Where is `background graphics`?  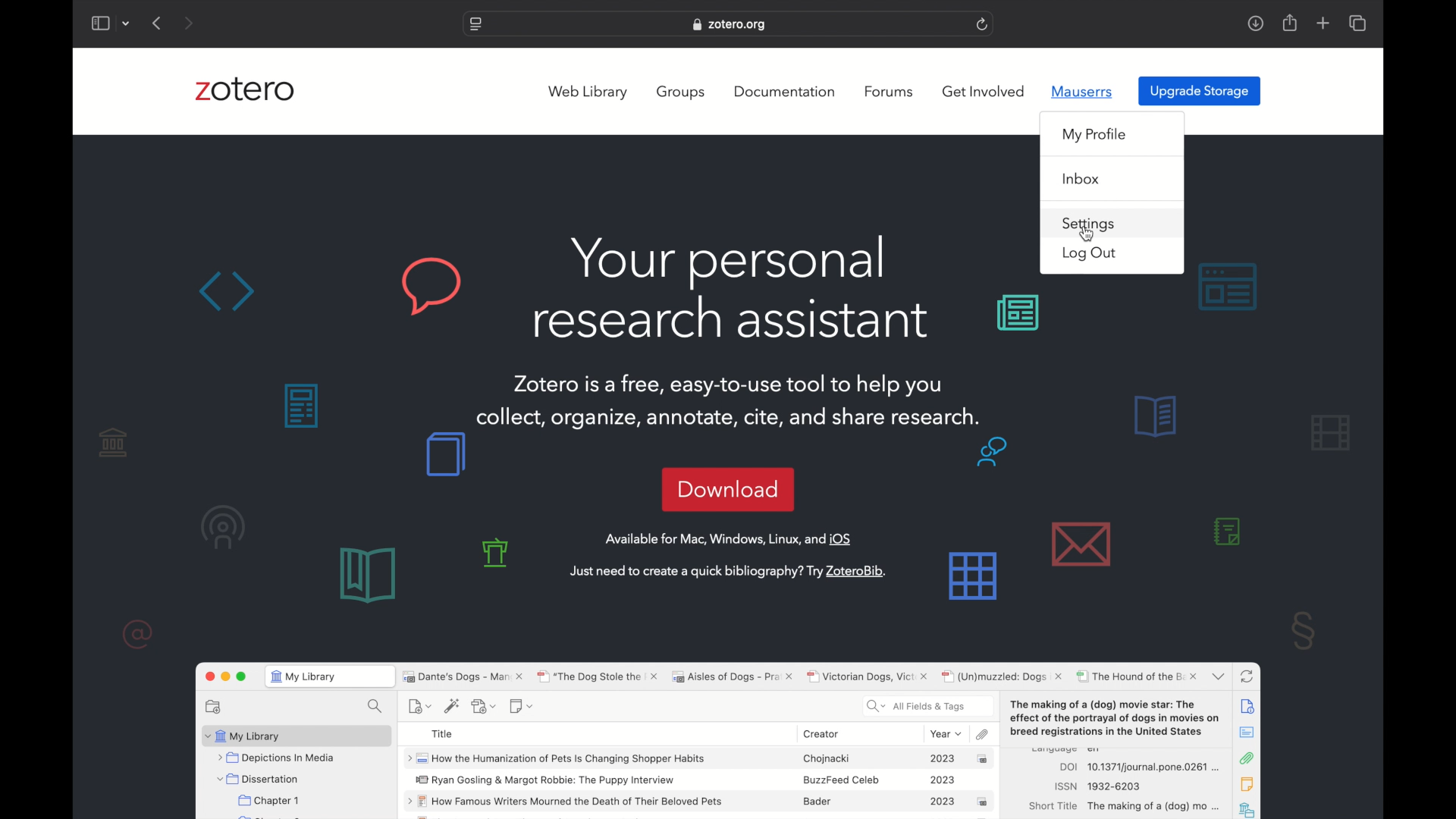
background graphics is located at coordinates (444, 455).